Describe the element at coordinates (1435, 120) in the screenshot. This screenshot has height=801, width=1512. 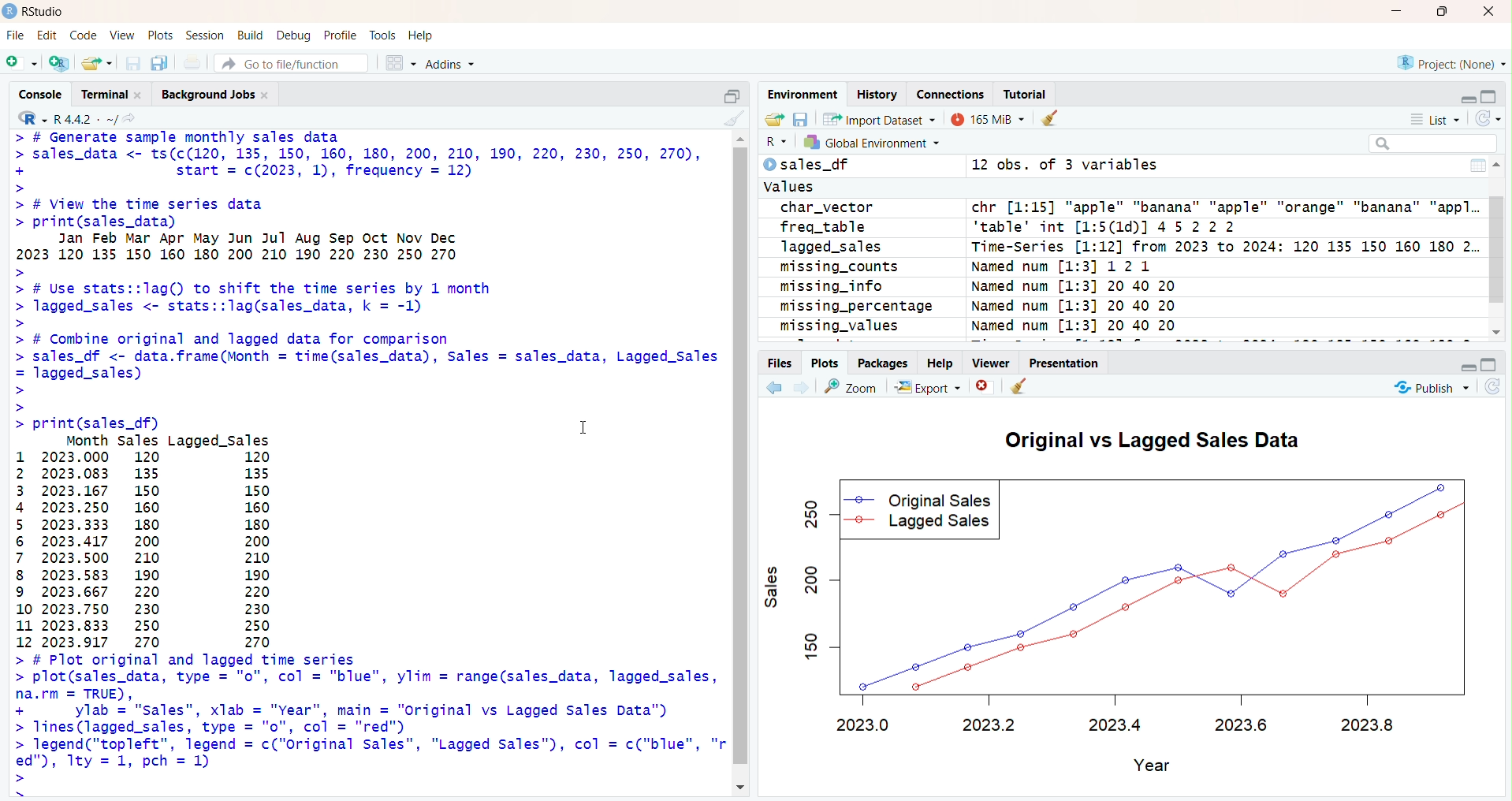
I see `list` at that location.